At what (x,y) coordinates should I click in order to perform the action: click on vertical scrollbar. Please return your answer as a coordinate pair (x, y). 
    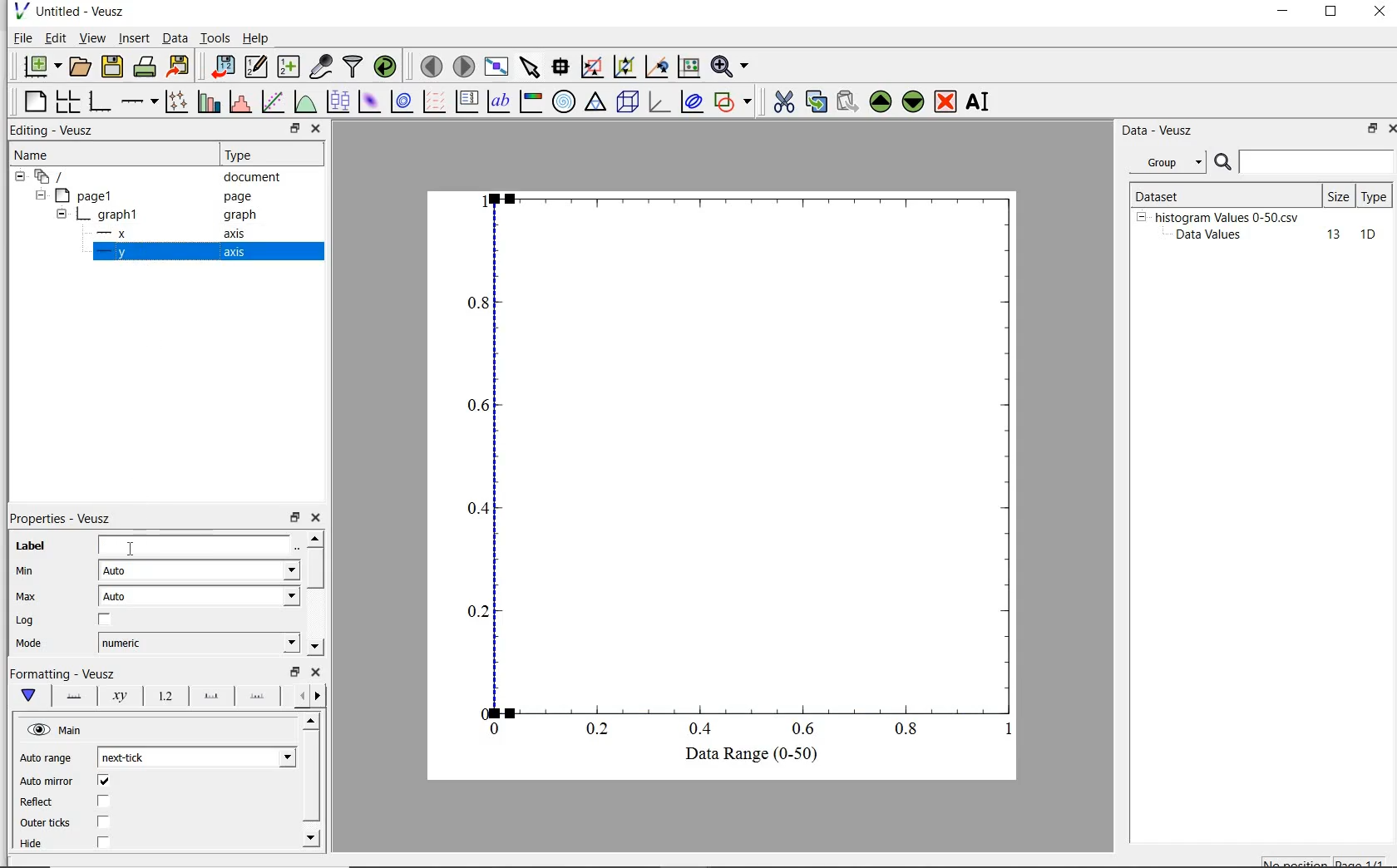
    Looking at the image, I should click on (310, 777).